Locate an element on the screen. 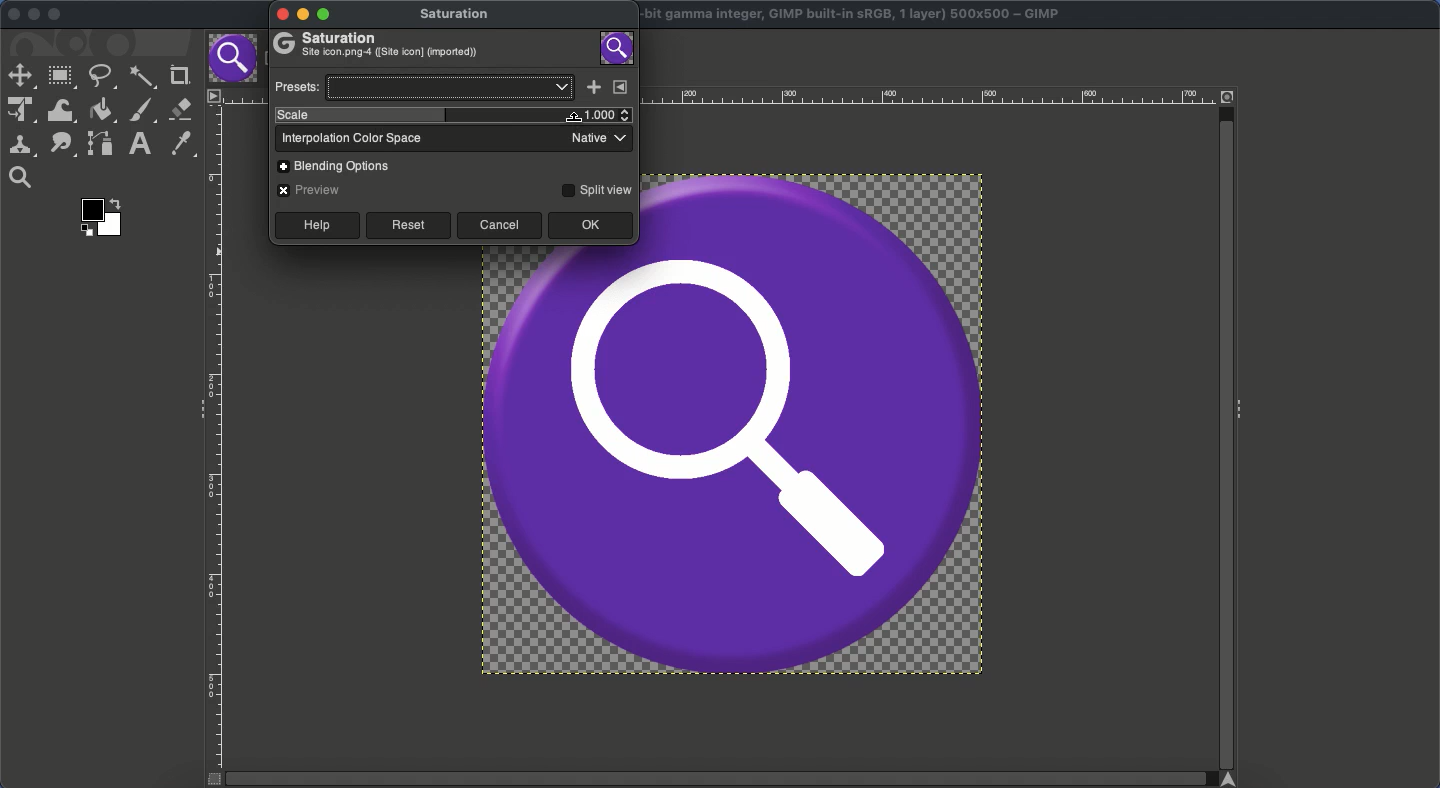 Image resolution: width=1440 pixels, height=788 pixels. Unified transformation is located at coordinates (17, 111).